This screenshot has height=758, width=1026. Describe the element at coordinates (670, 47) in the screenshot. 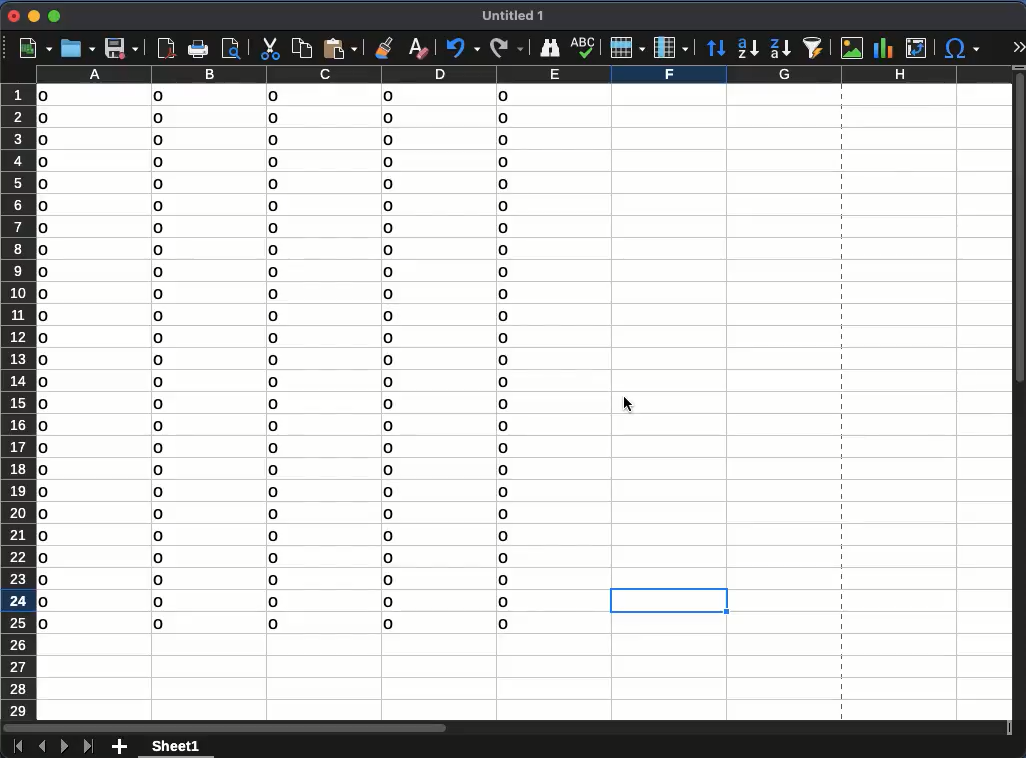

I see `column` at that location.